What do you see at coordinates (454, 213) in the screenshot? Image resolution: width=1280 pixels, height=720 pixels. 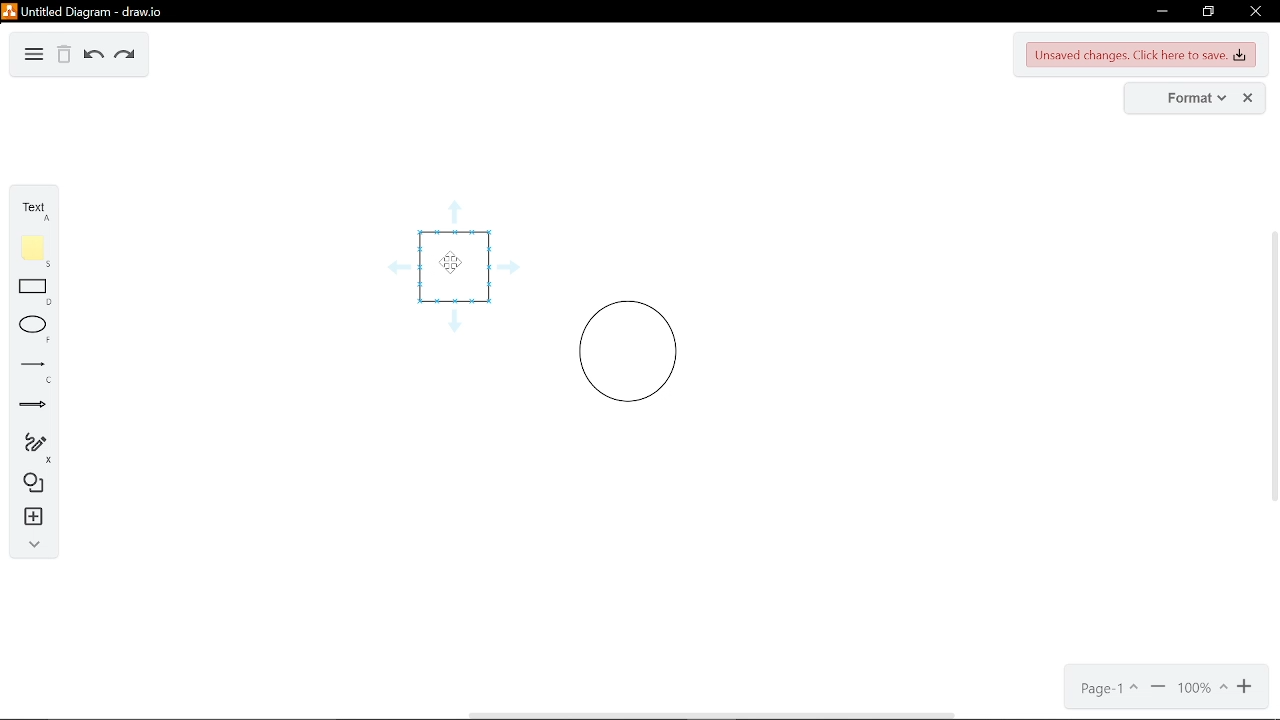 I see `guide arrow` at bounding box center [454, 213].